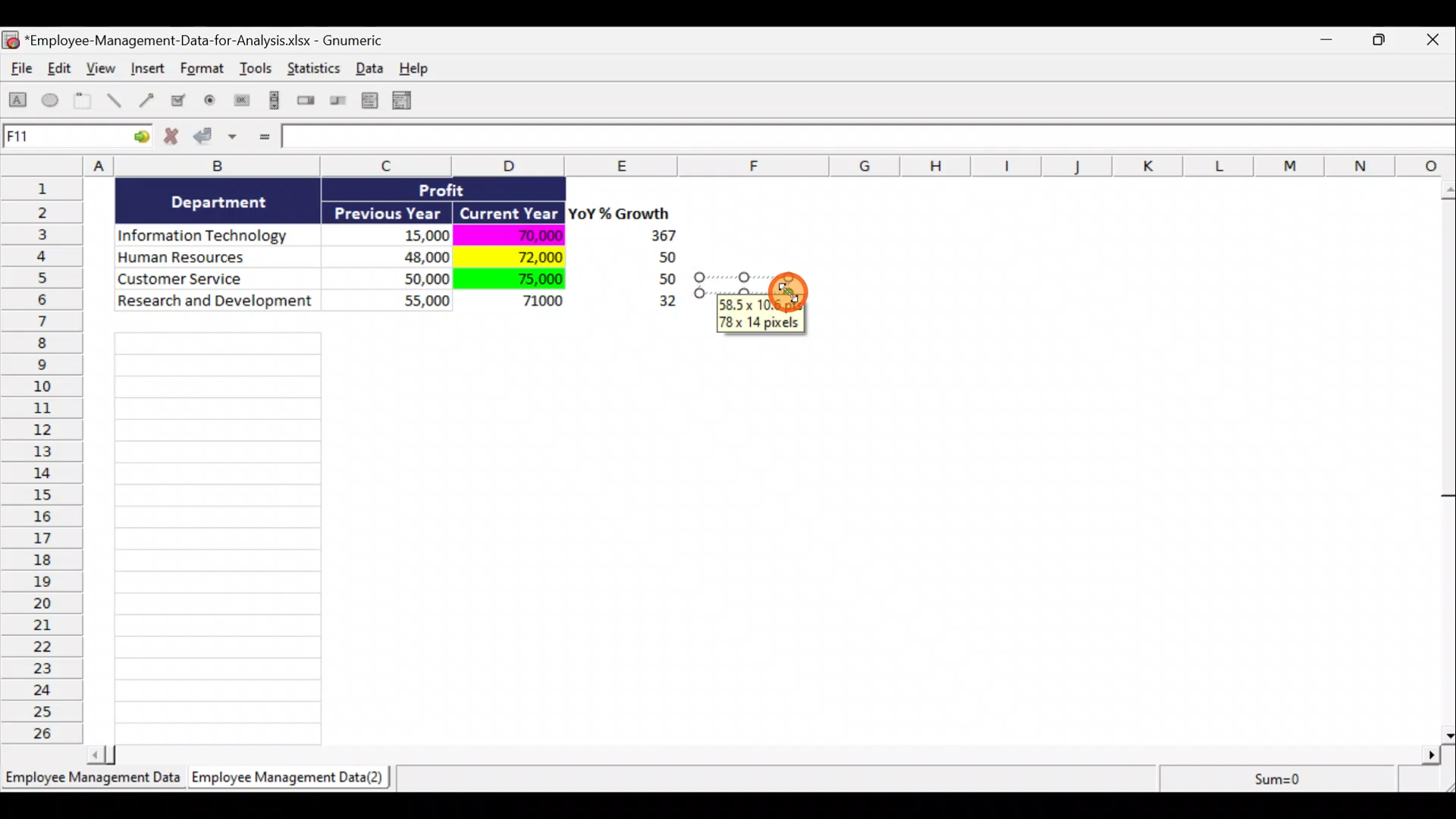 This screenshot has width=1456, height=819. Describe the element at coordinates (146, 99) in the screenshot. I see `Create an arrow object` at that location.